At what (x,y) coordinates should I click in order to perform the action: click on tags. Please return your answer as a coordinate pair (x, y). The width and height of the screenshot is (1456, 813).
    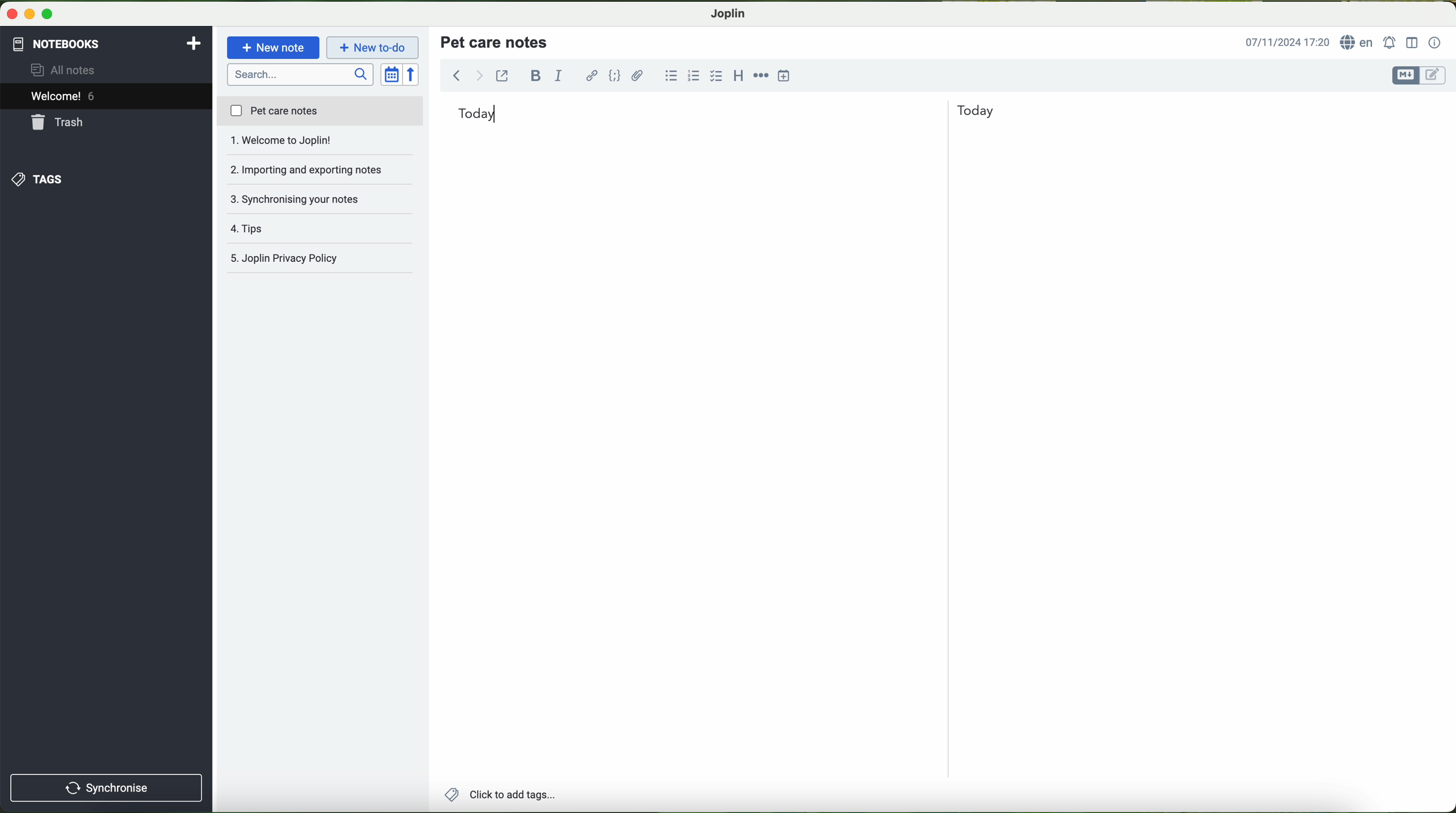
    Looking at the image, I should click on (36, 179).